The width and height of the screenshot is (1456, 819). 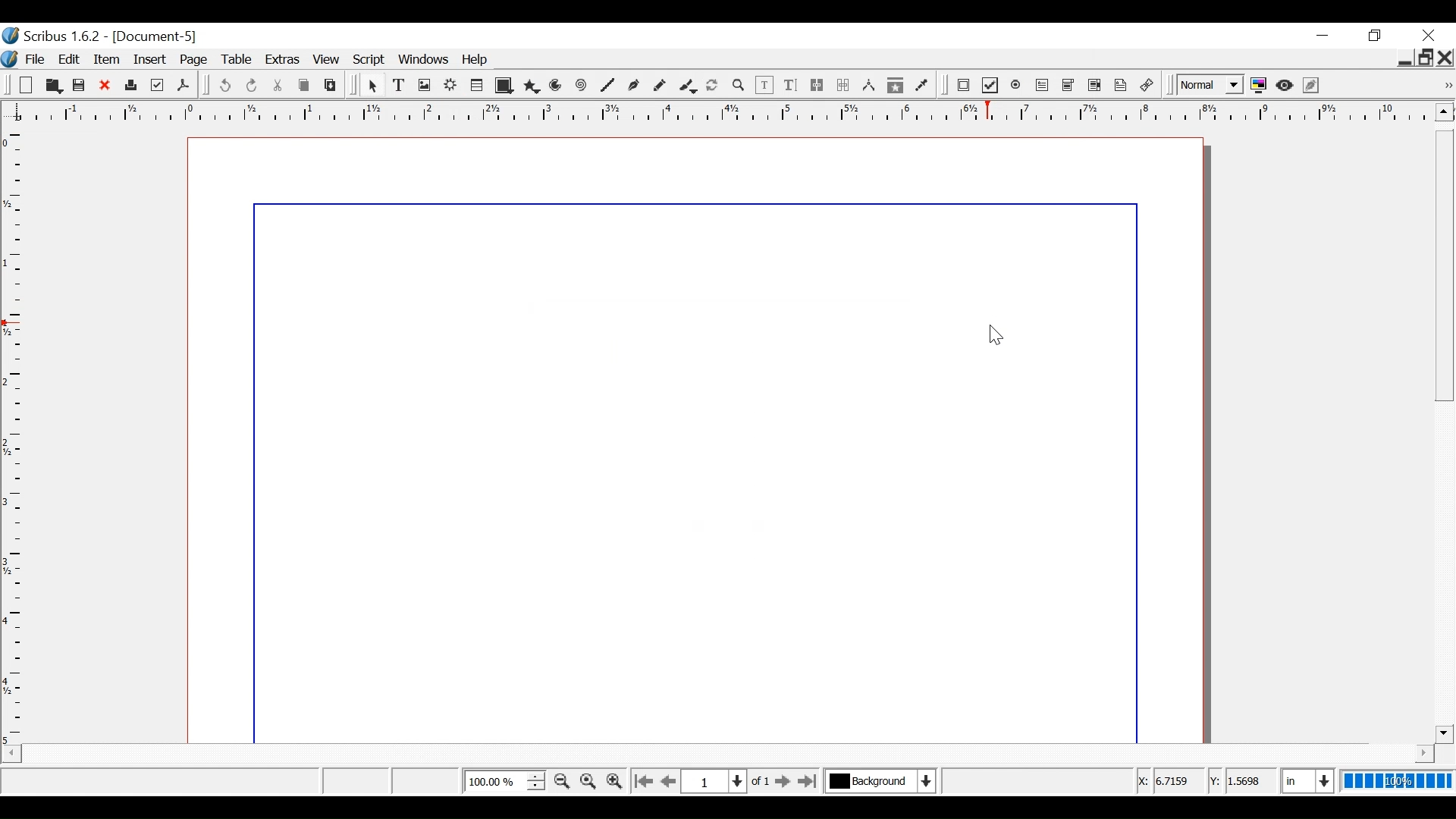 What do you see at coordinates (712, 85) in the screenshot?
I see `Rotate` at bounding box center [712, 85].